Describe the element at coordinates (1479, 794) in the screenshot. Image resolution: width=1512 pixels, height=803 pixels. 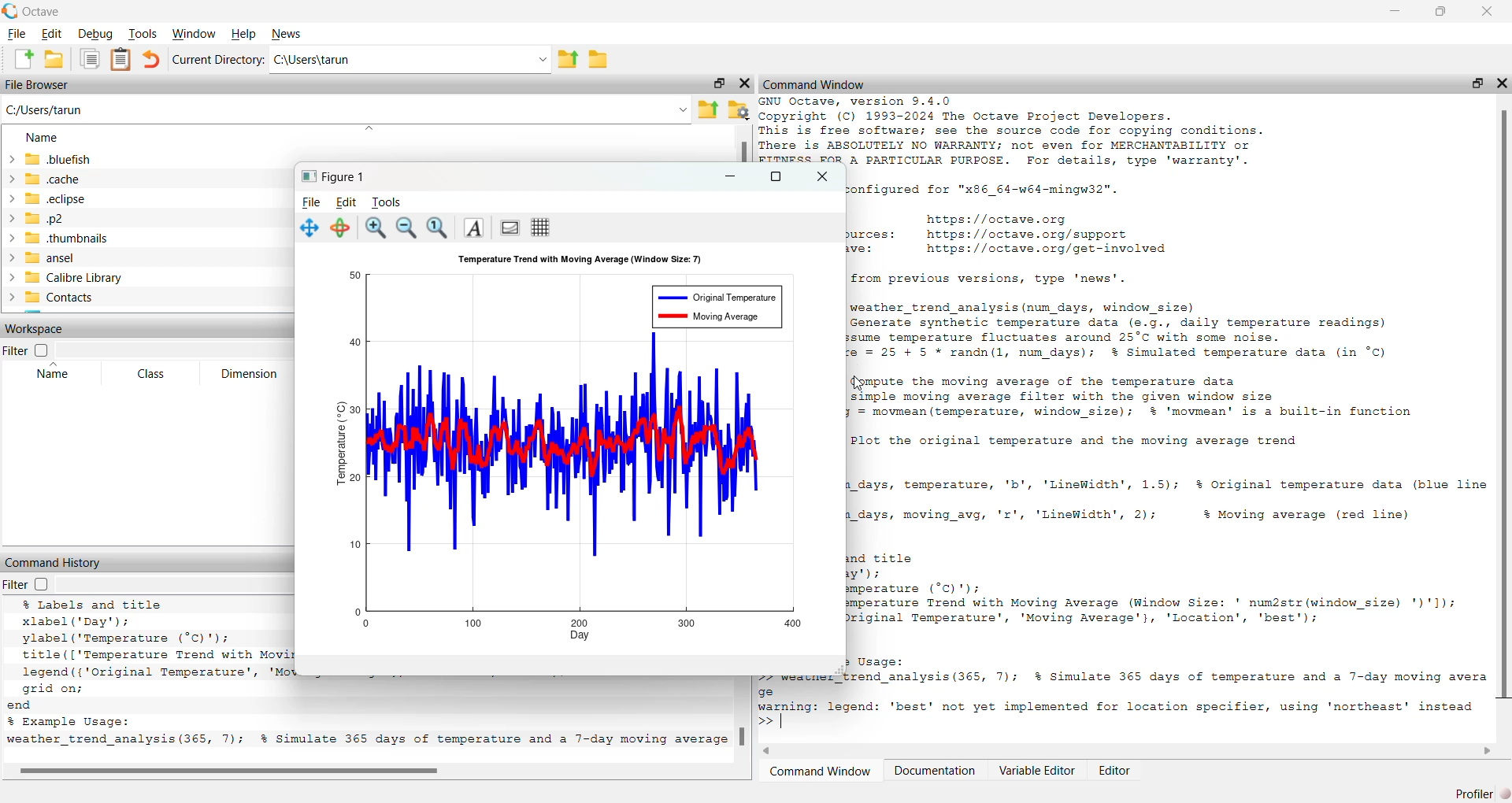
I see `Profiler` at that location.